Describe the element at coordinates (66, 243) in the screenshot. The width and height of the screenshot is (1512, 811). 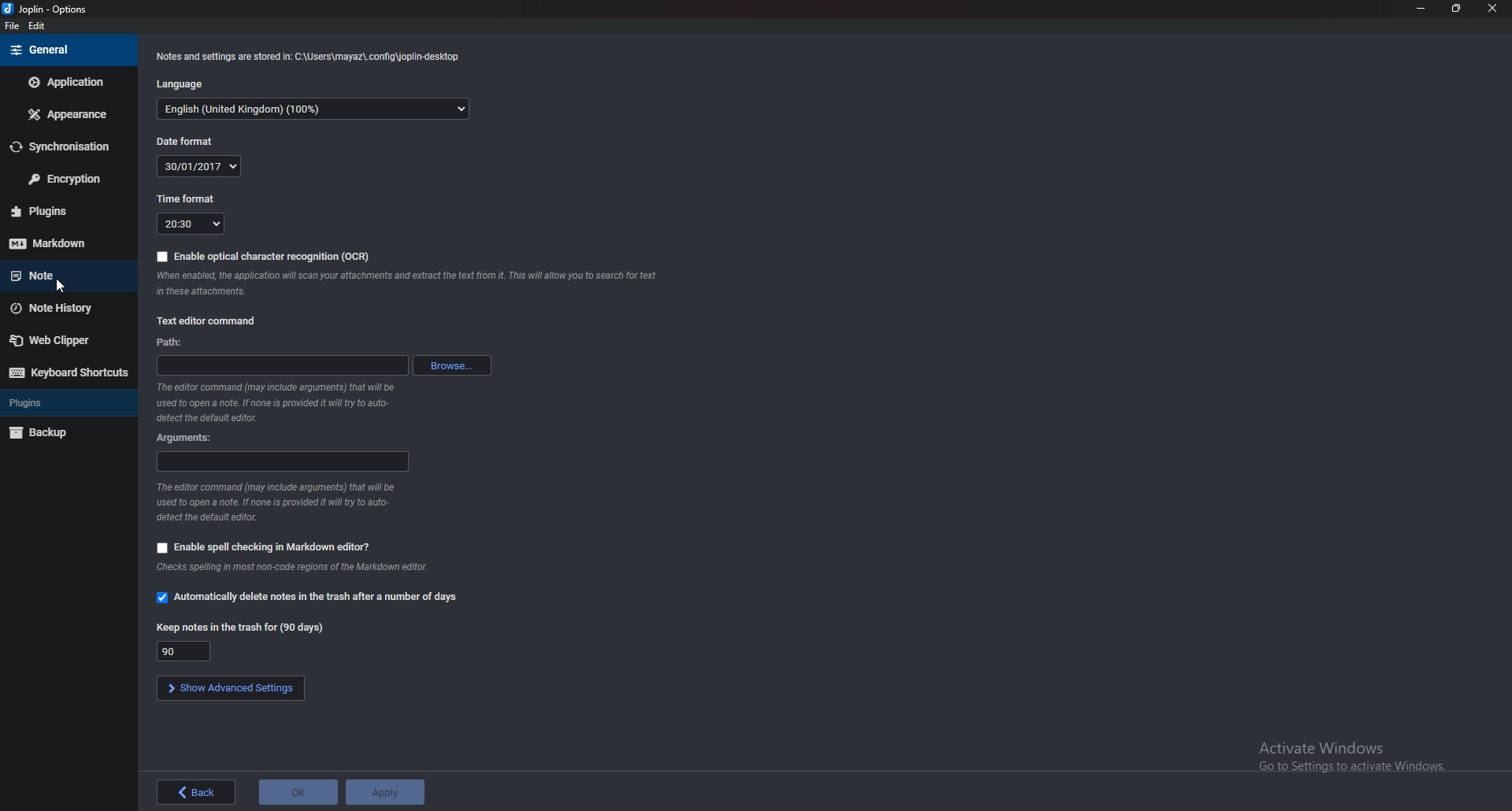
I see `mark down` at that location.